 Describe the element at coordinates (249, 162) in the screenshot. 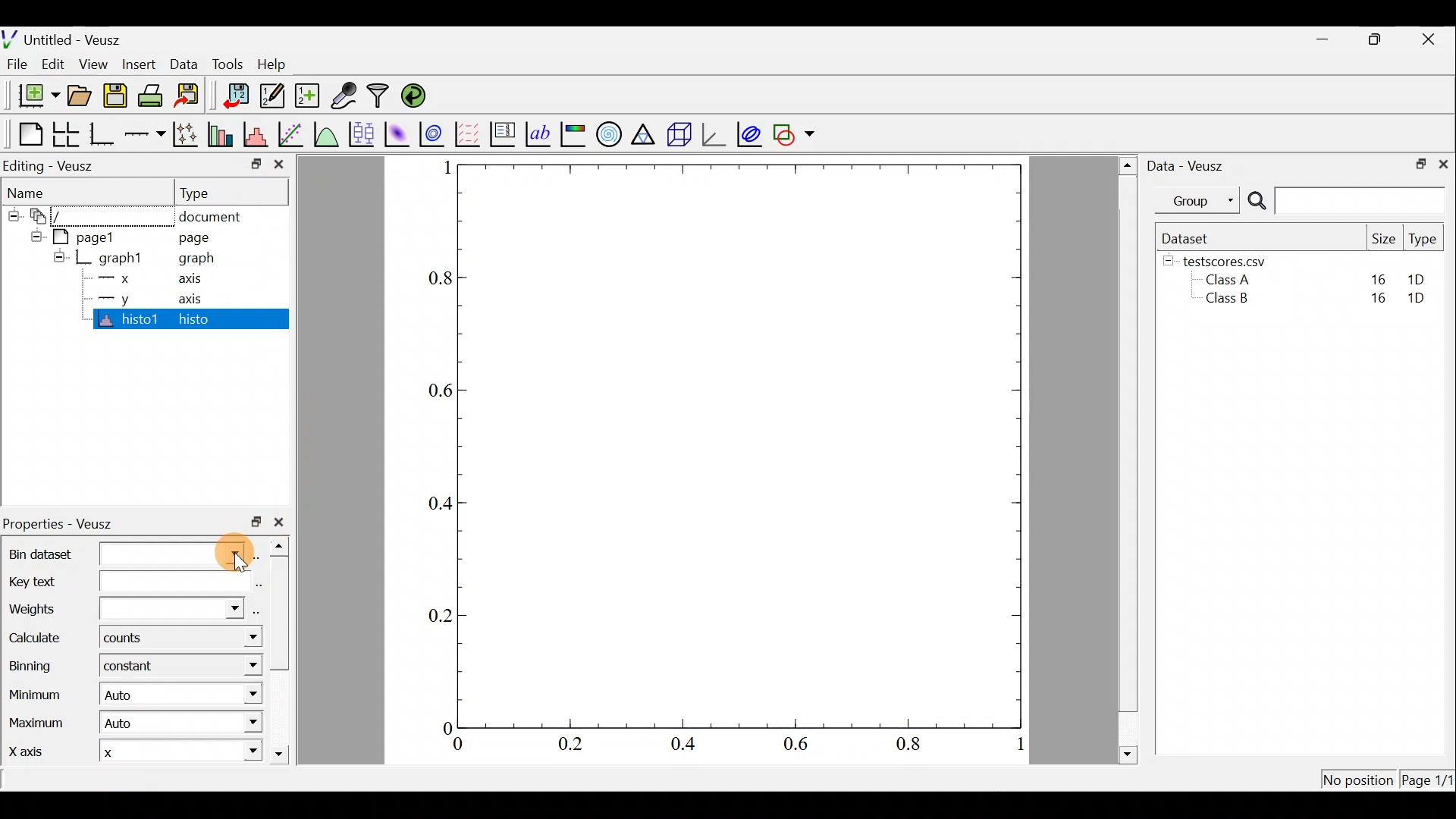

I see `restore down` at that location.